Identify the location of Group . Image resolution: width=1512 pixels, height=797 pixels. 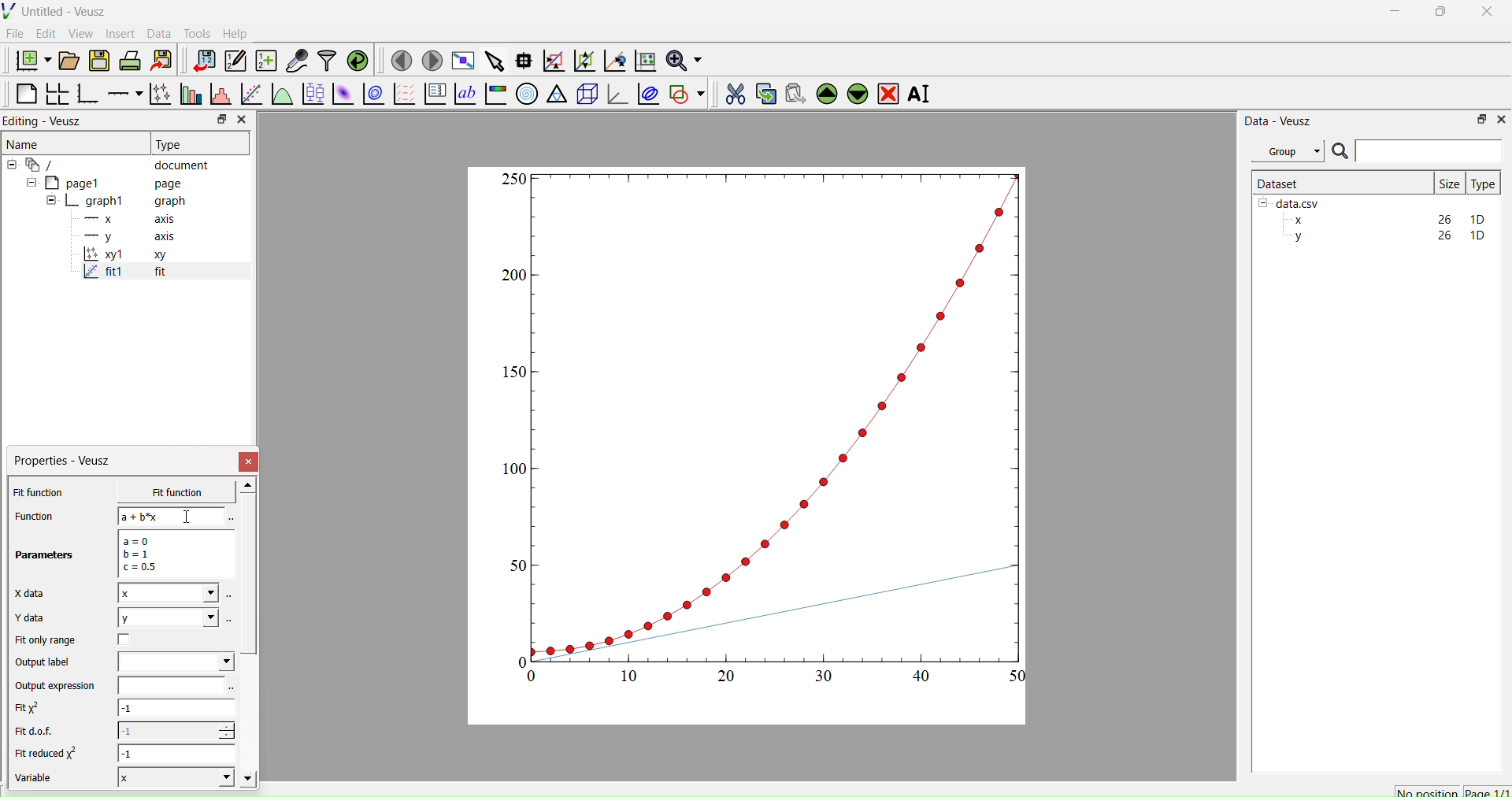
(1287, 151).